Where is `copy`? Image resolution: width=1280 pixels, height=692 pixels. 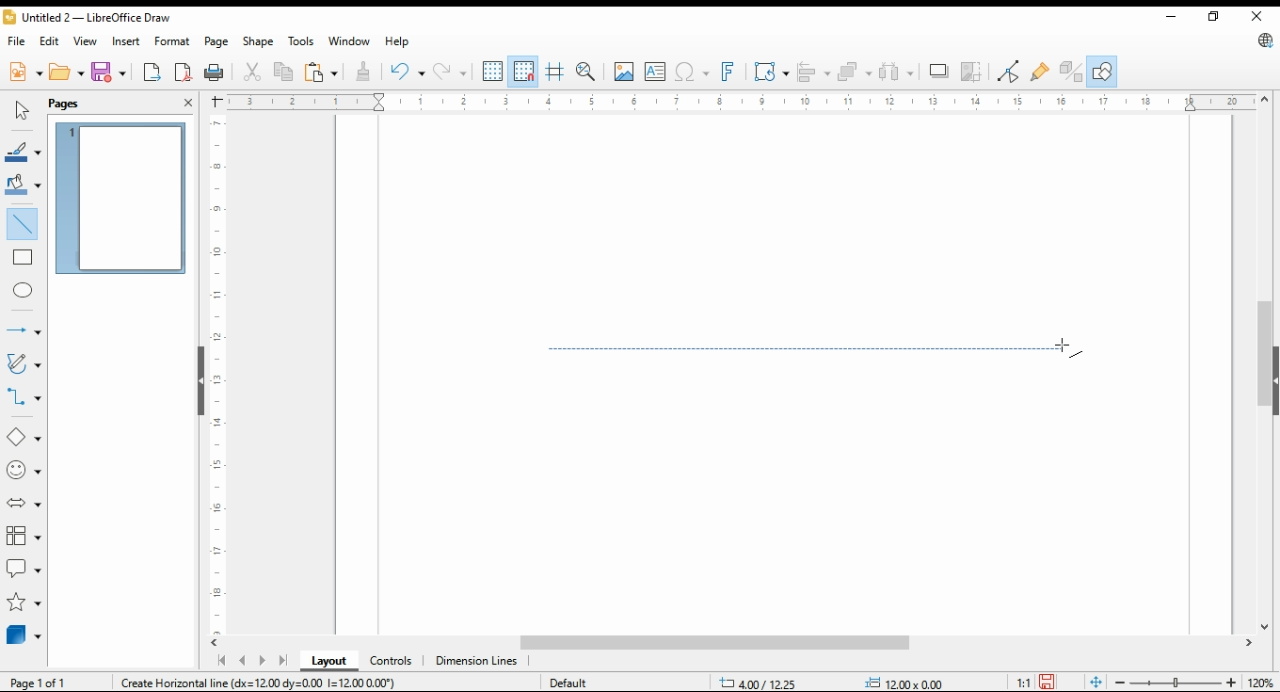
copy is located at coordinates (285, 71).